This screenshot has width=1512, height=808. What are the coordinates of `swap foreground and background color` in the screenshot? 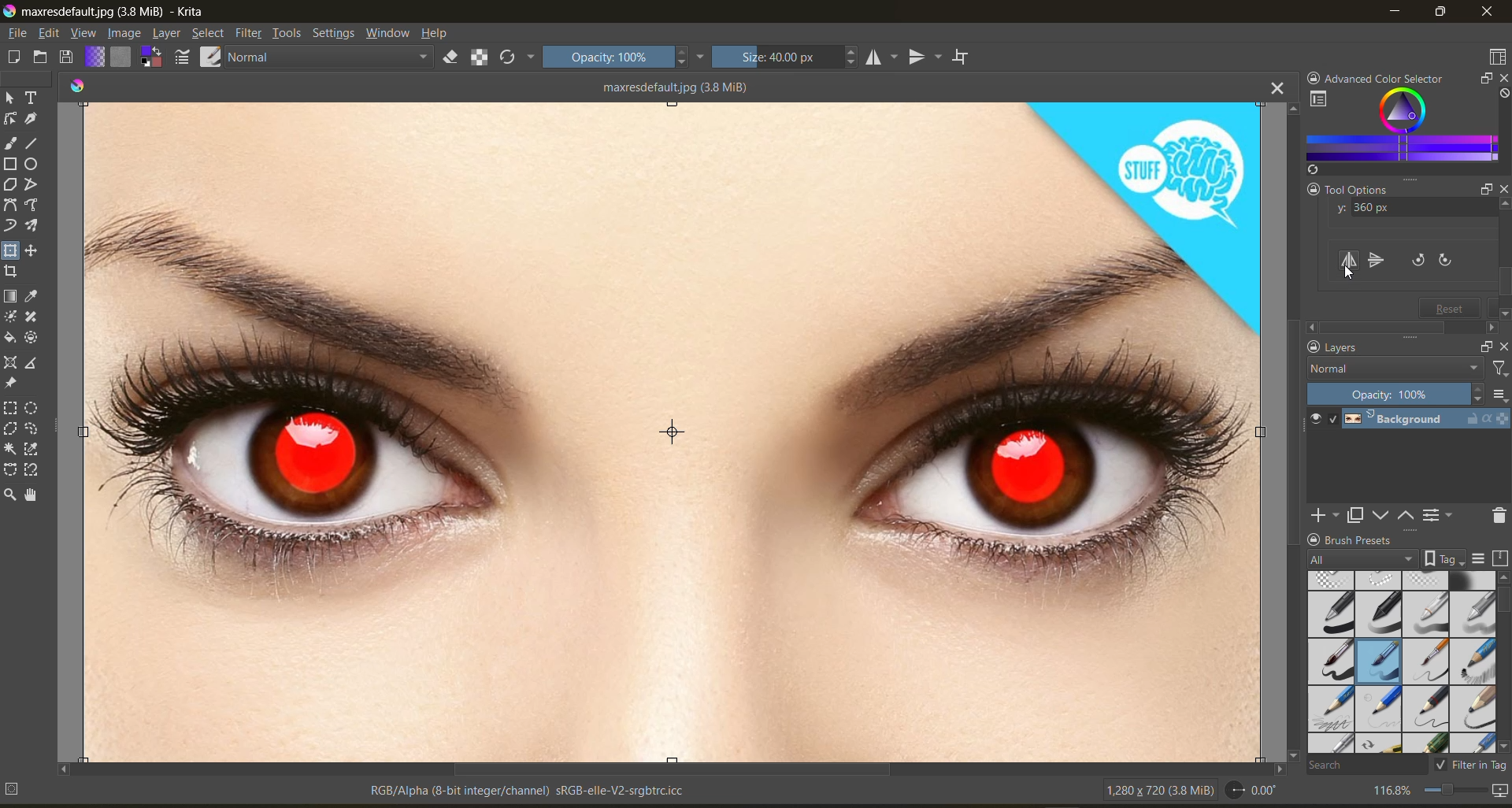 It's located at (153, 57).